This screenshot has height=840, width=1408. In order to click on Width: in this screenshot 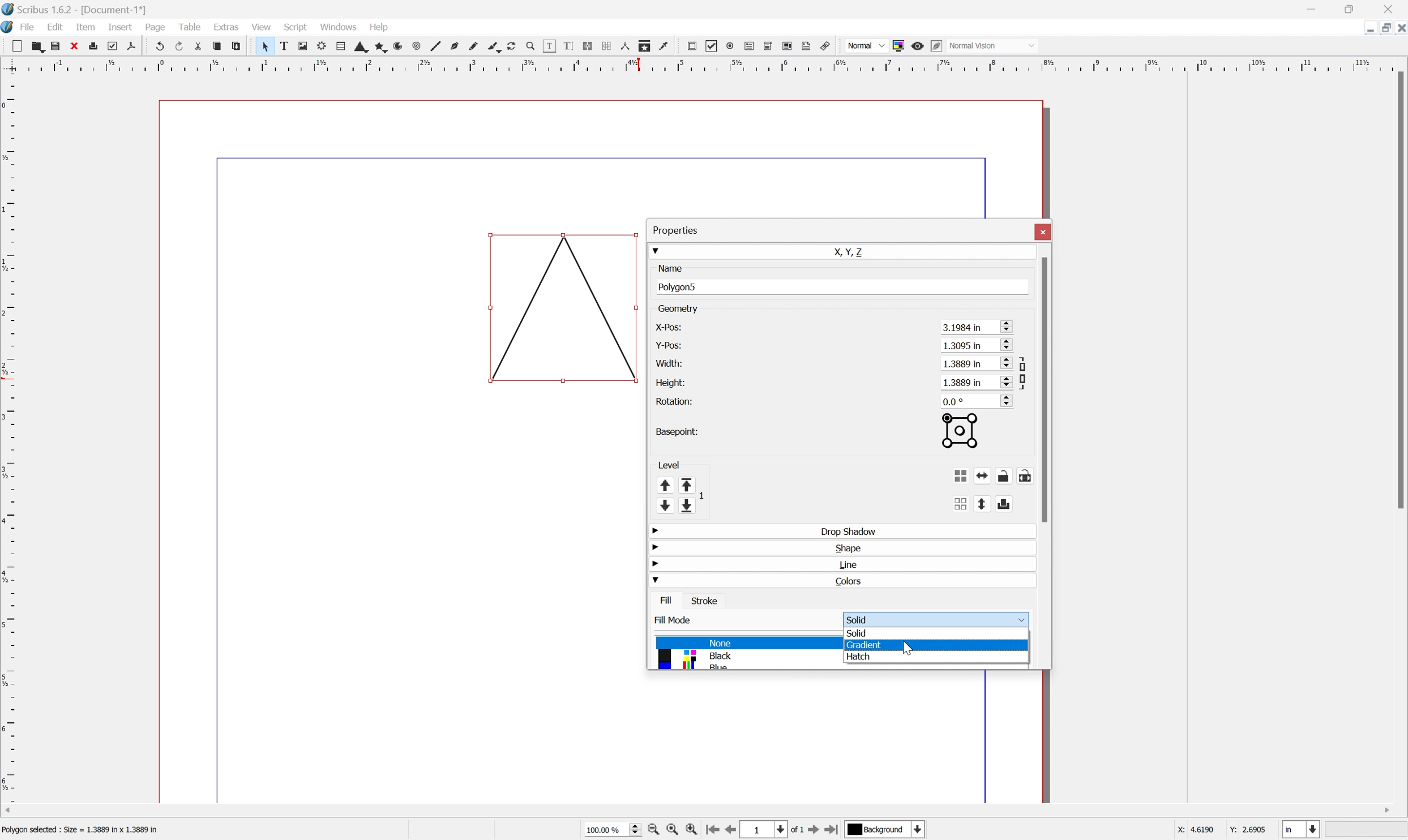, I will do `click(668, 362)`.